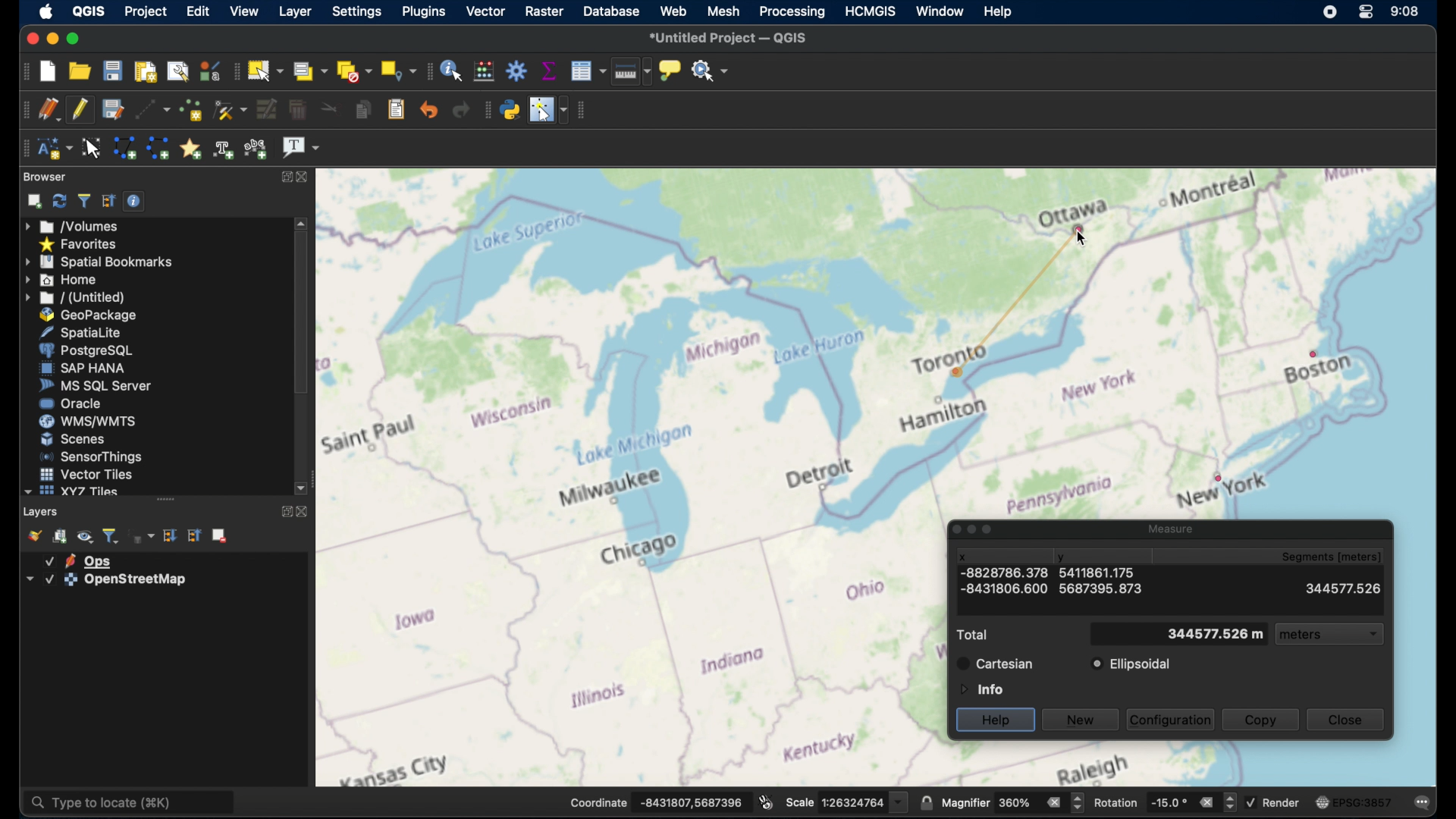  Describe the element at coordinates (99, 261) in the screenshot. I see `spatial bookmarks` at that location.